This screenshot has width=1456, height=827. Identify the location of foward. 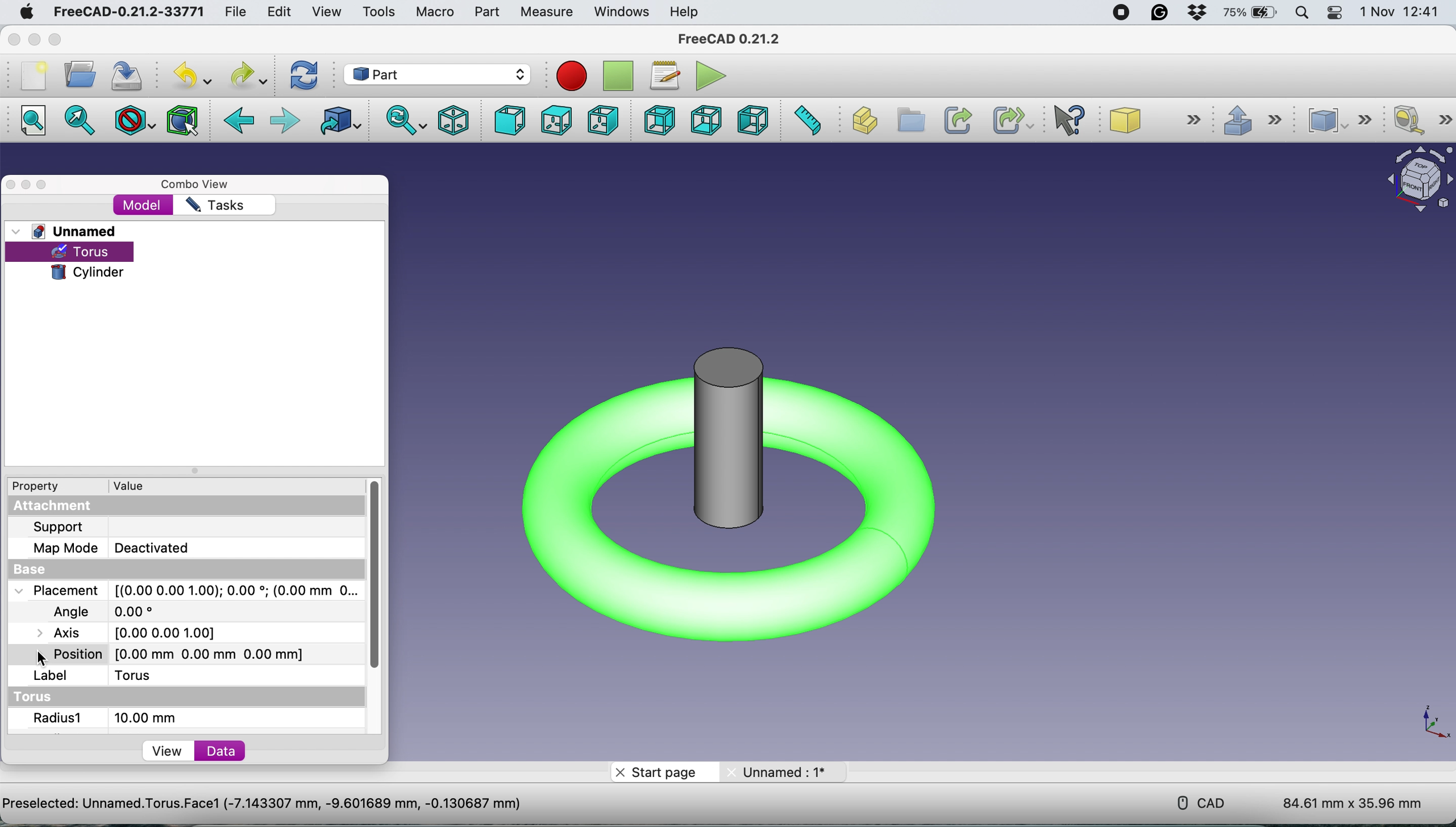
(287, 119).